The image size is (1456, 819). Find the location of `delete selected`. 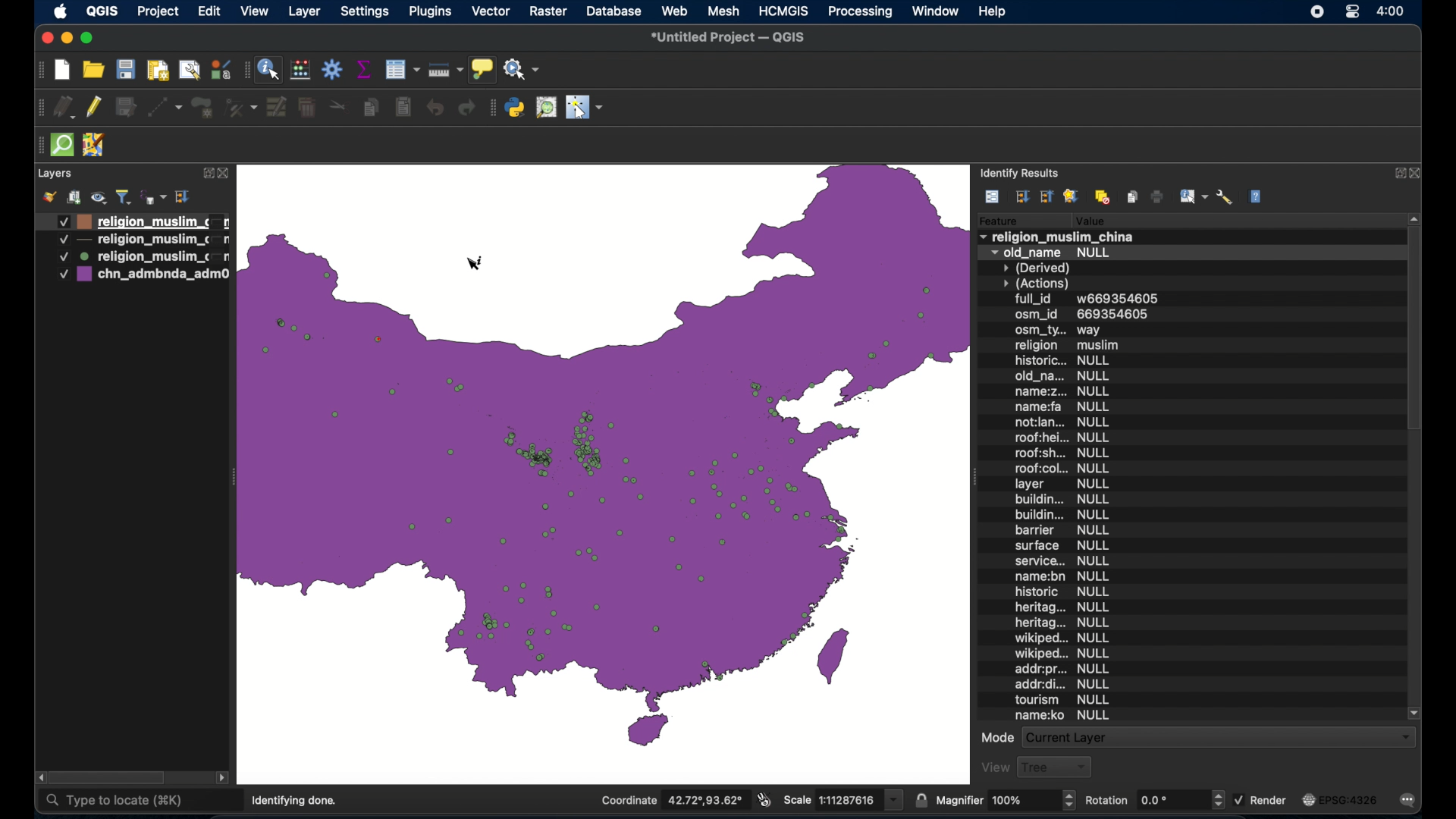

delete selected is located at coordinates (309, 105).